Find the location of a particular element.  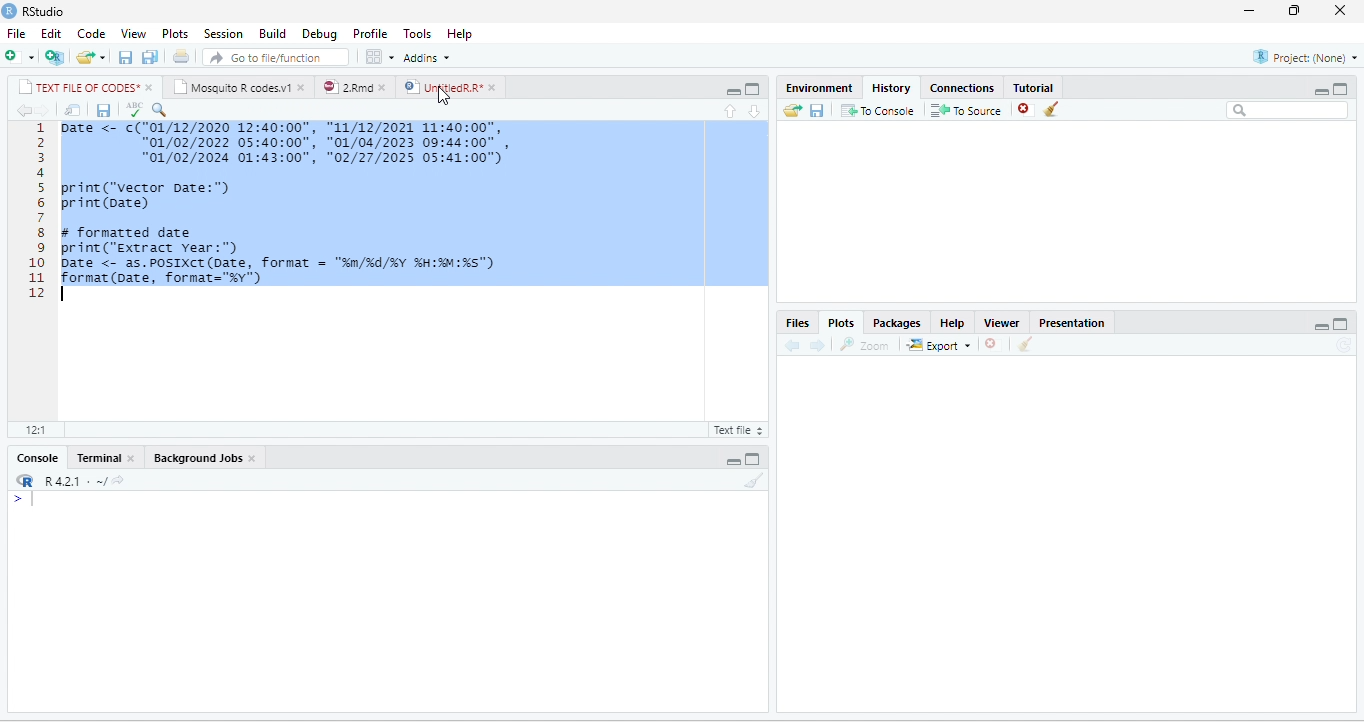

Console is located at coordinates (37, 458).